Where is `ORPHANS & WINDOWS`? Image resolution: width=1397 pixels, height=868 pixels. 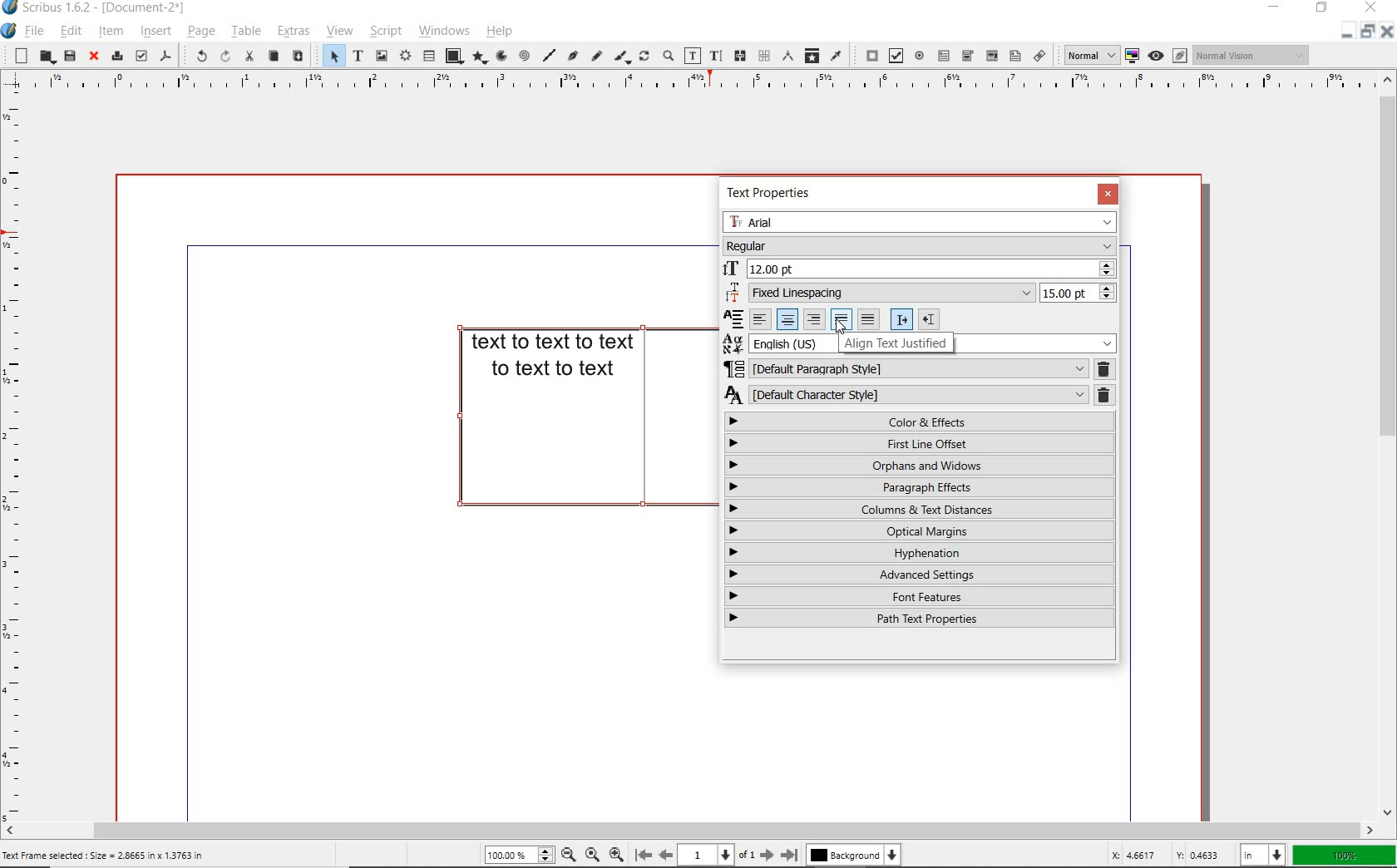
ORPHANS & WINDOWS is located at coordinates (919, 465).